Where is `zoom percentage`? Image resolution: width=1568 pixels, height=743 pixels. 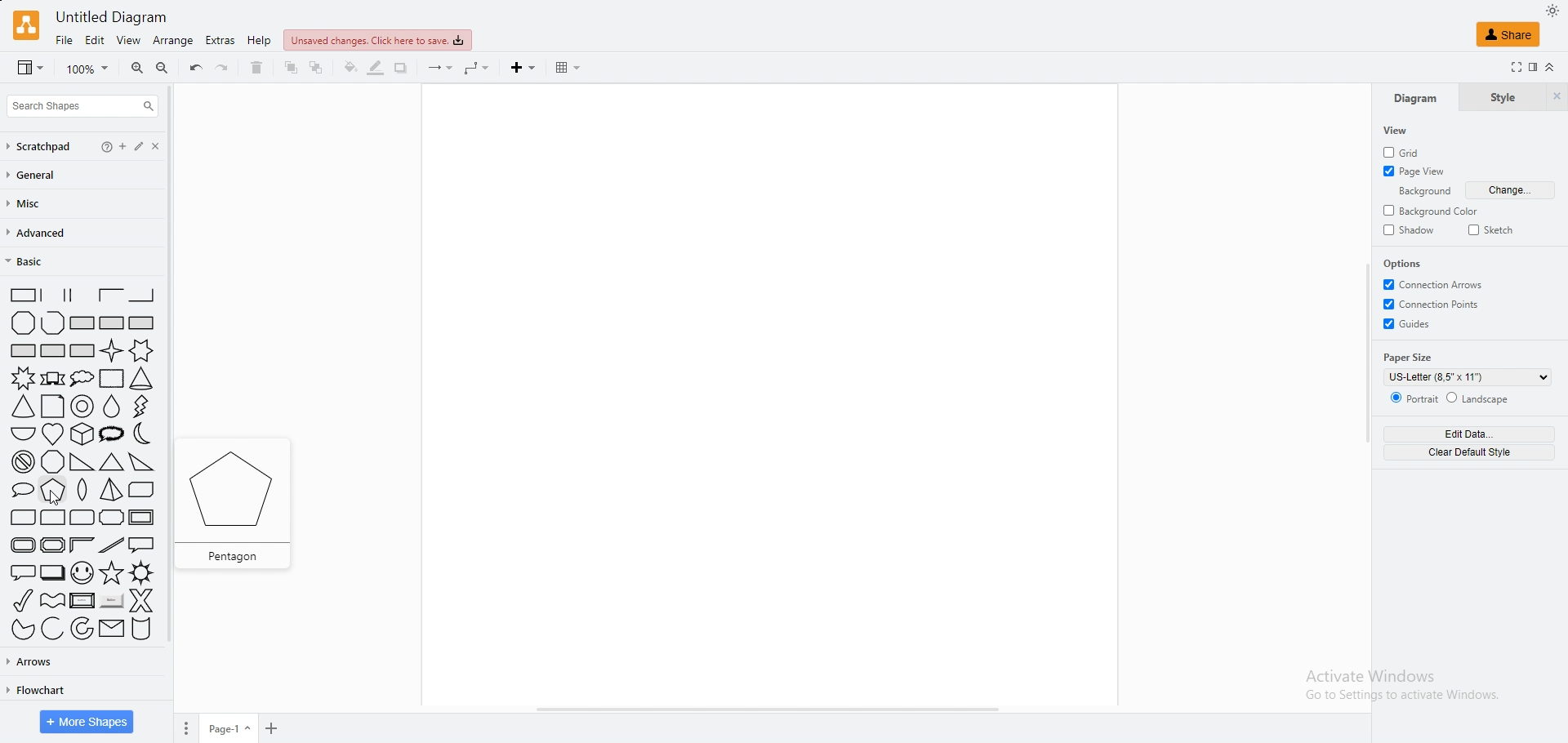 zoom percentage is located at coordinates (89, 69).